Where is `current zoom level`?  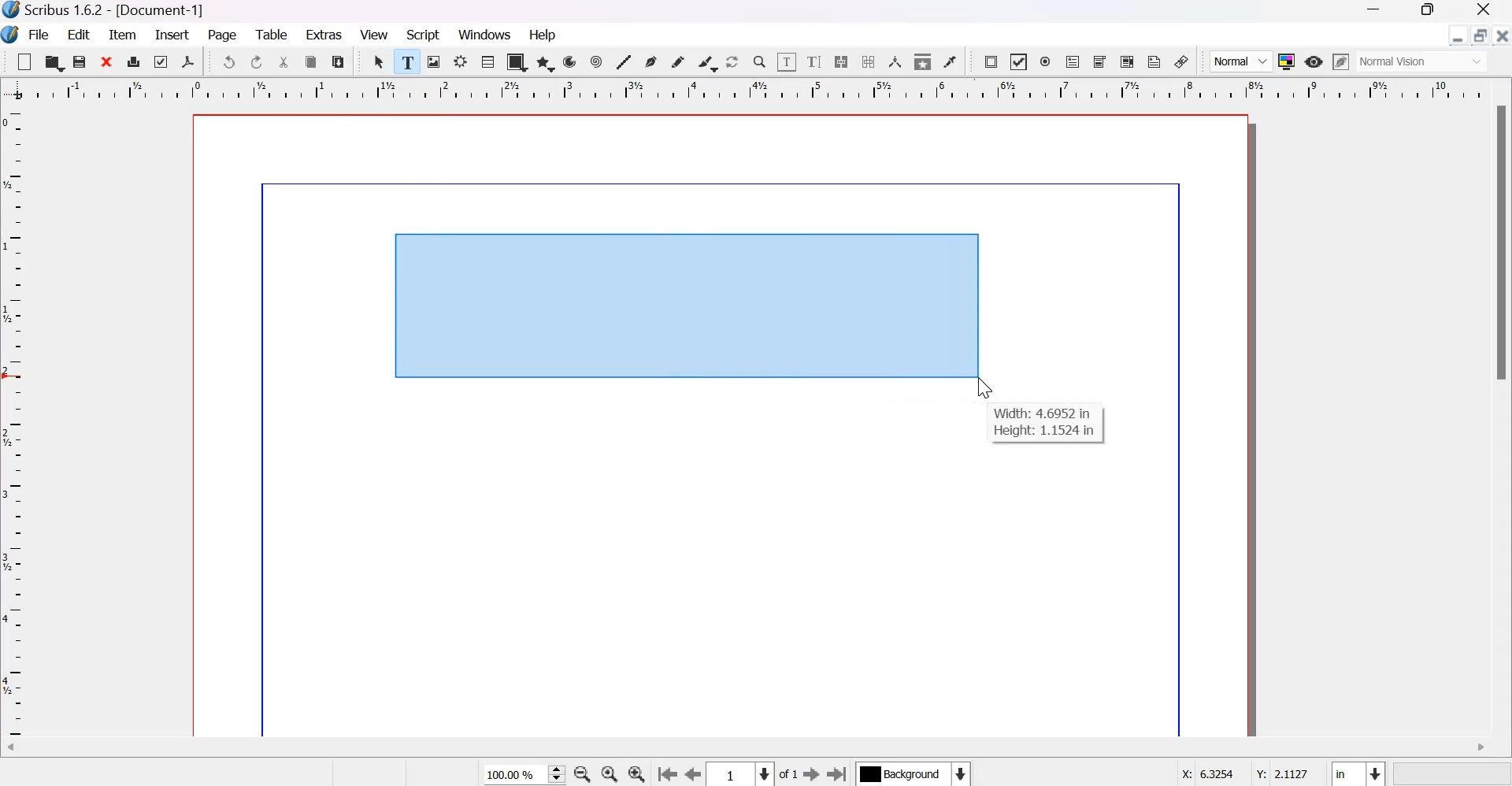
current zoom level is located at coordinates (524, 775).